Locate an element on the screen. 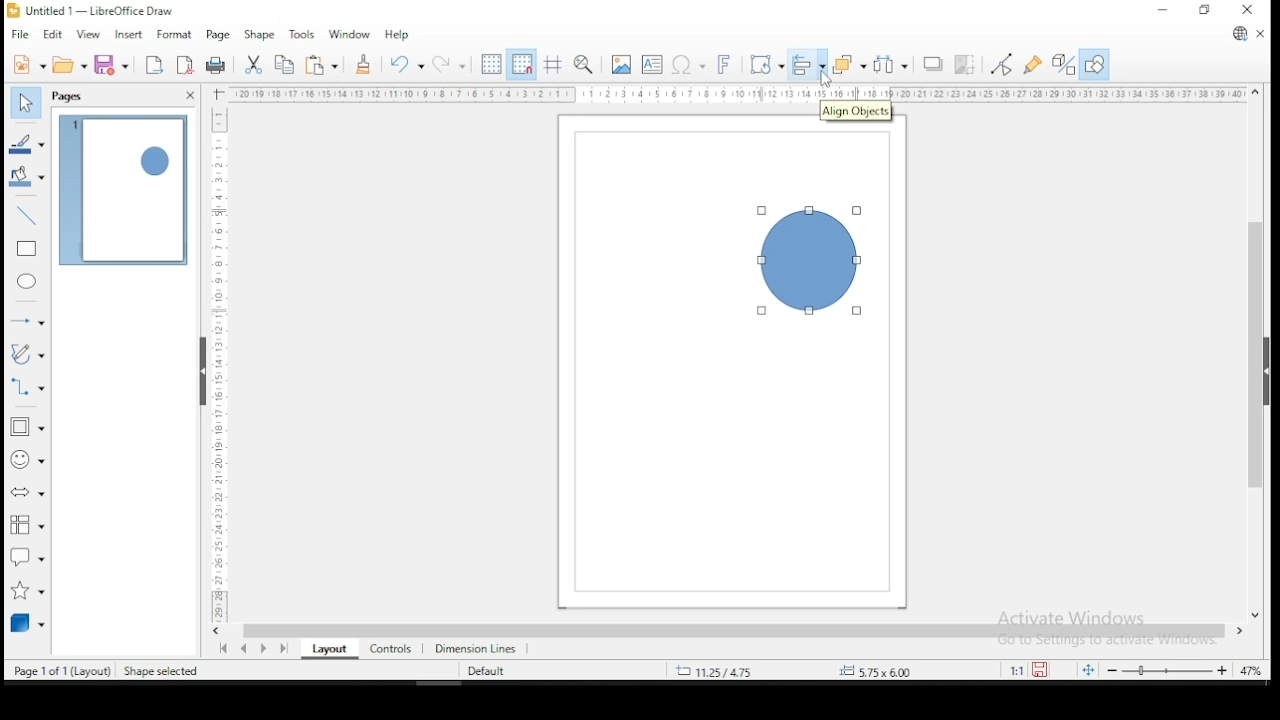 This screenshot has width=1280, height=720. dimension lines is located at coordinates (476, 647).